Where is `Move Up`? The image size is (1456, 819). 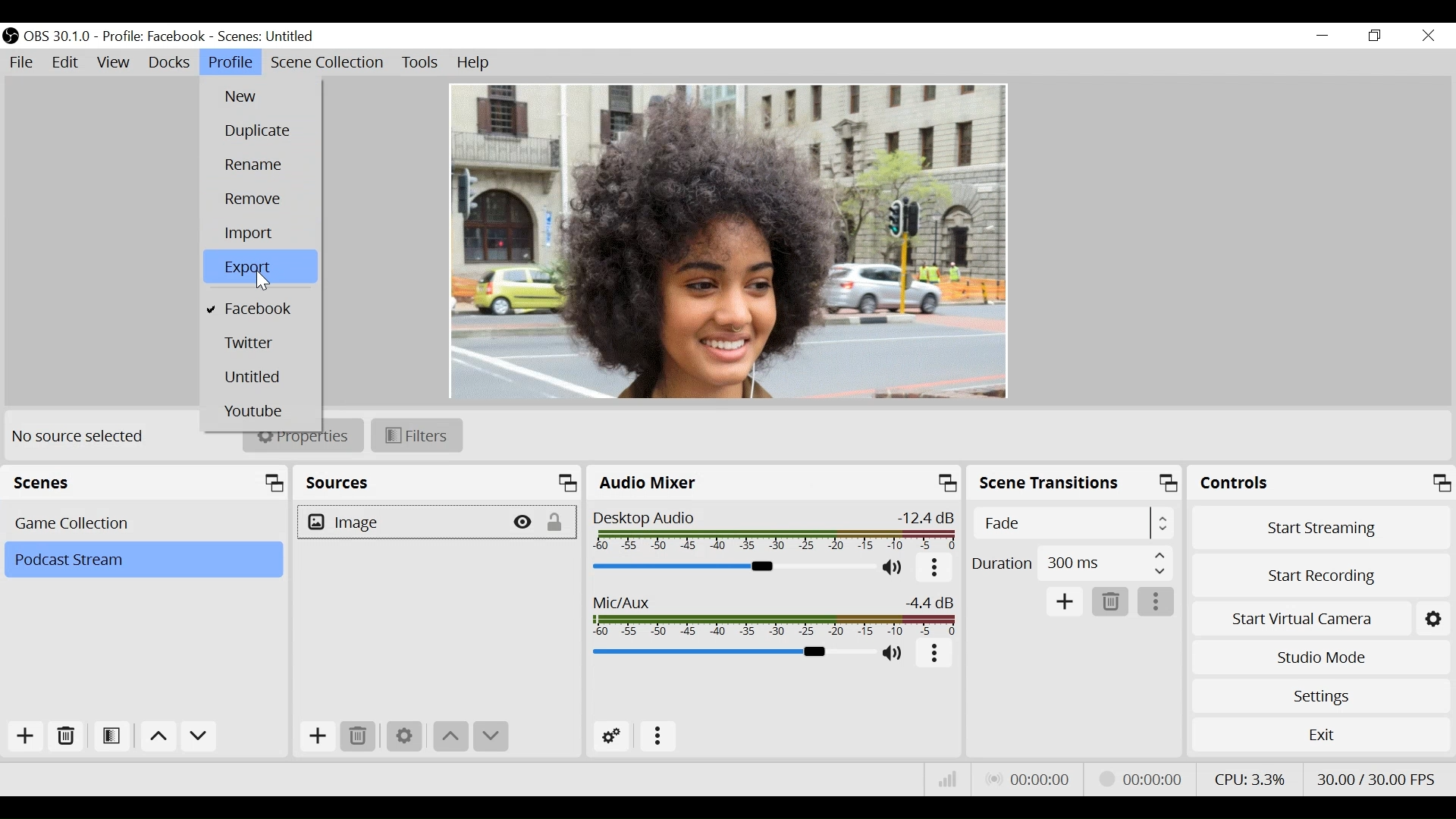
Move Up is located at coordinates (450, 739).